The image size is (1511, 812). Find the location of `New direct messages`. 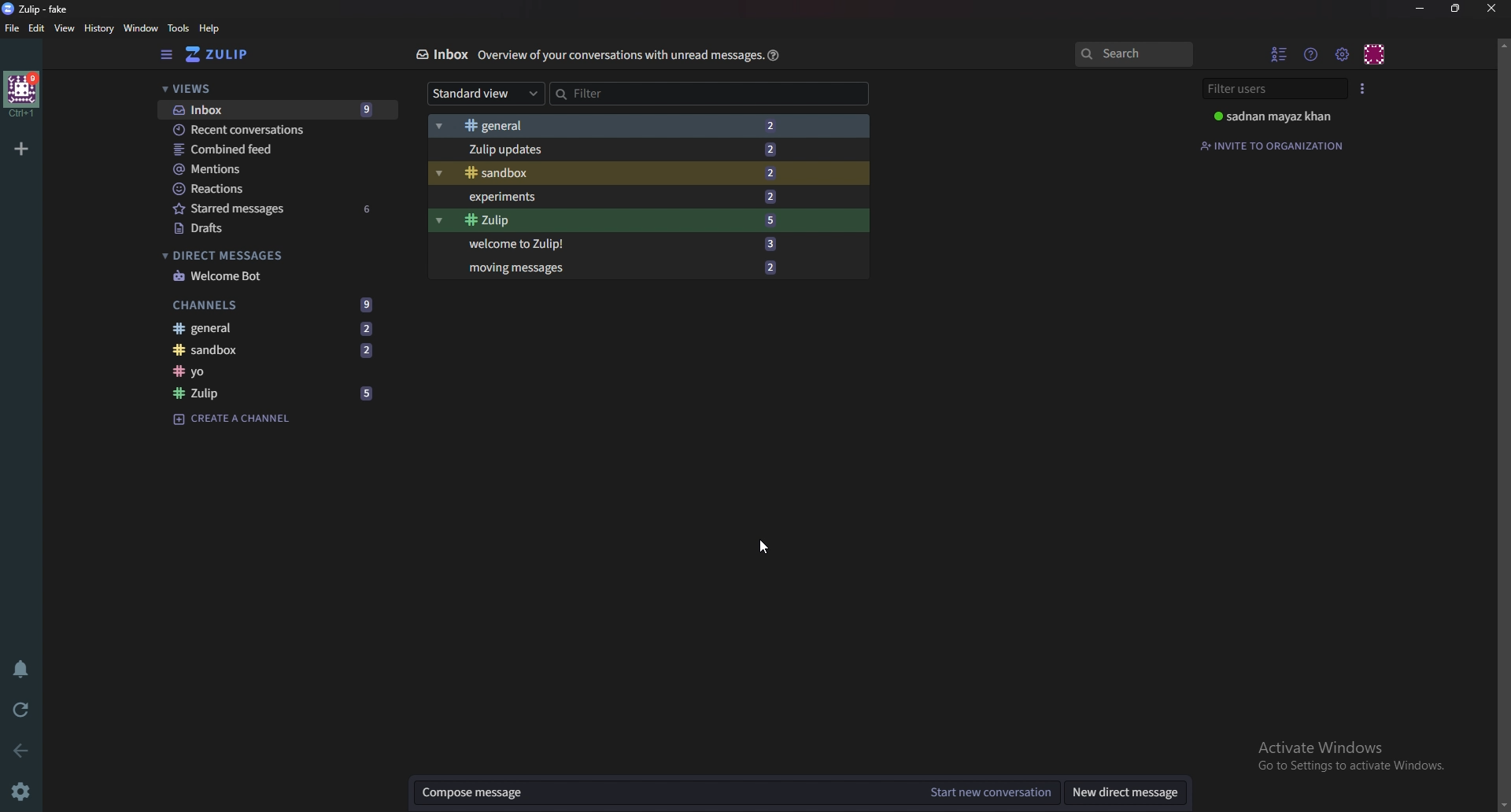

New direct messages is located at coordinates (1129, 792).